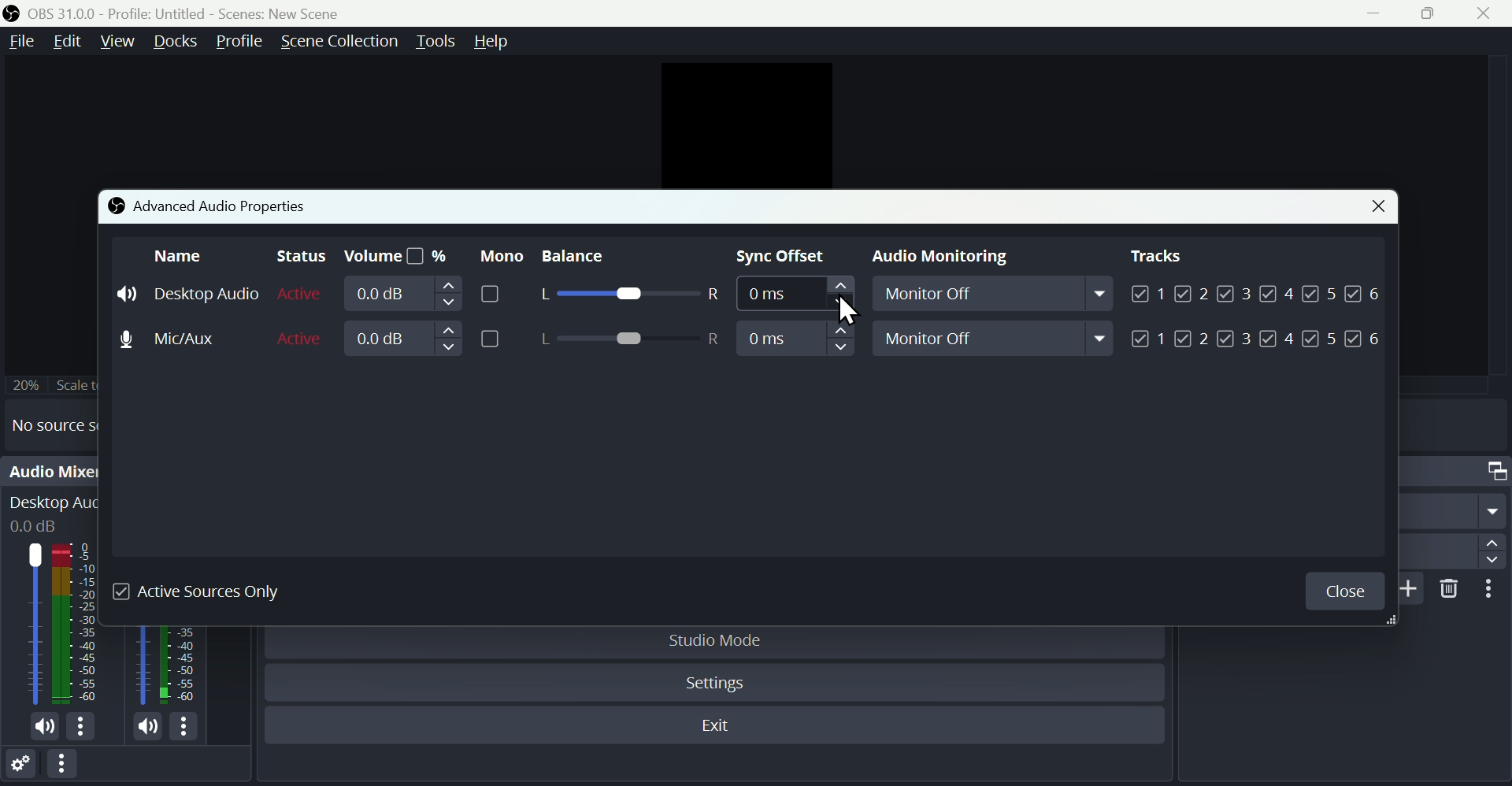 The height and width of the screenshot is (786, 1512). I want to click on Name, so click(180, 255).